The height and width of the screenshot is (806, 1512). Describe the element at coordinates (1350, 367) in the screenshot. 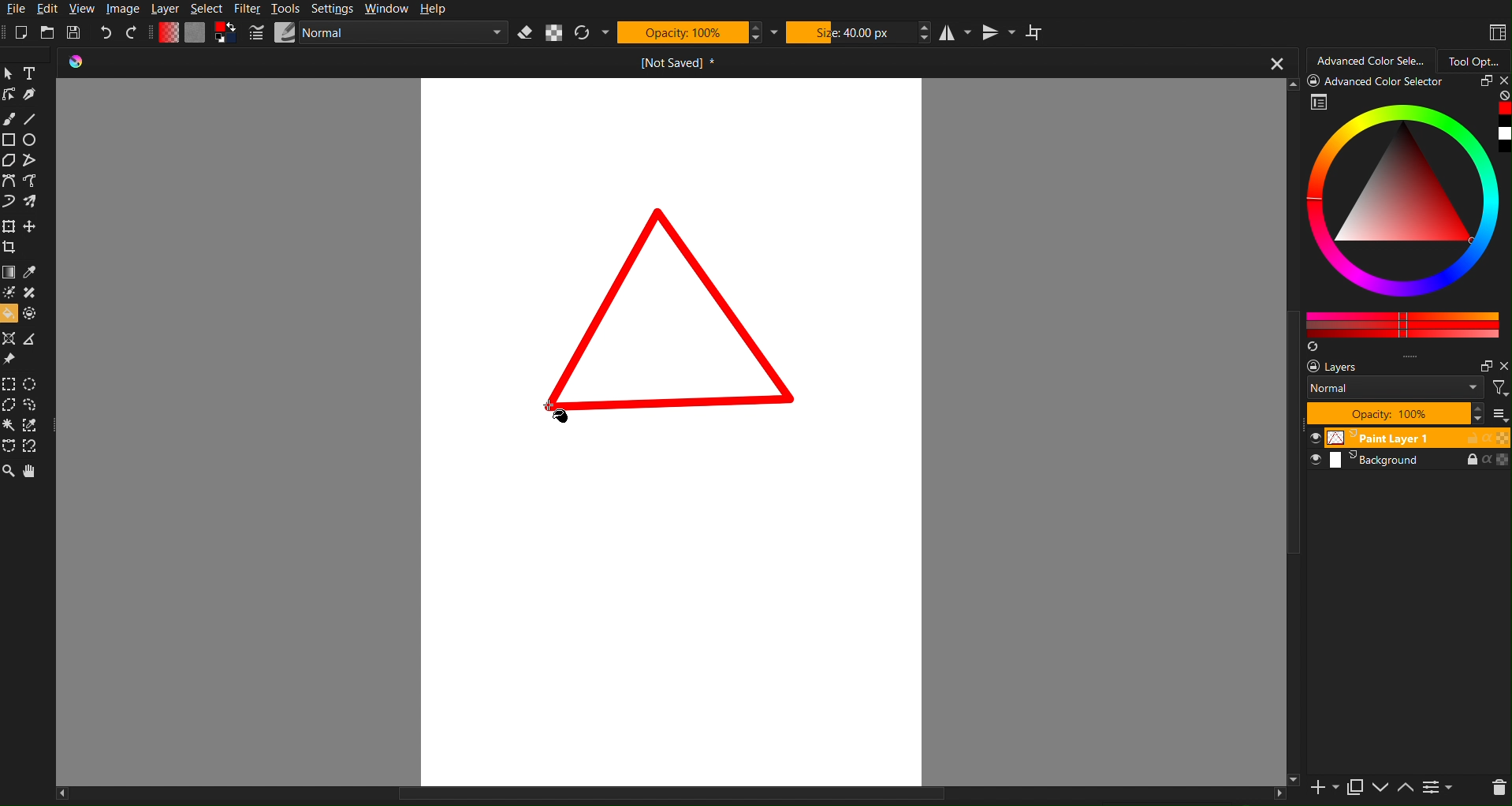

I see `layers` at that location.